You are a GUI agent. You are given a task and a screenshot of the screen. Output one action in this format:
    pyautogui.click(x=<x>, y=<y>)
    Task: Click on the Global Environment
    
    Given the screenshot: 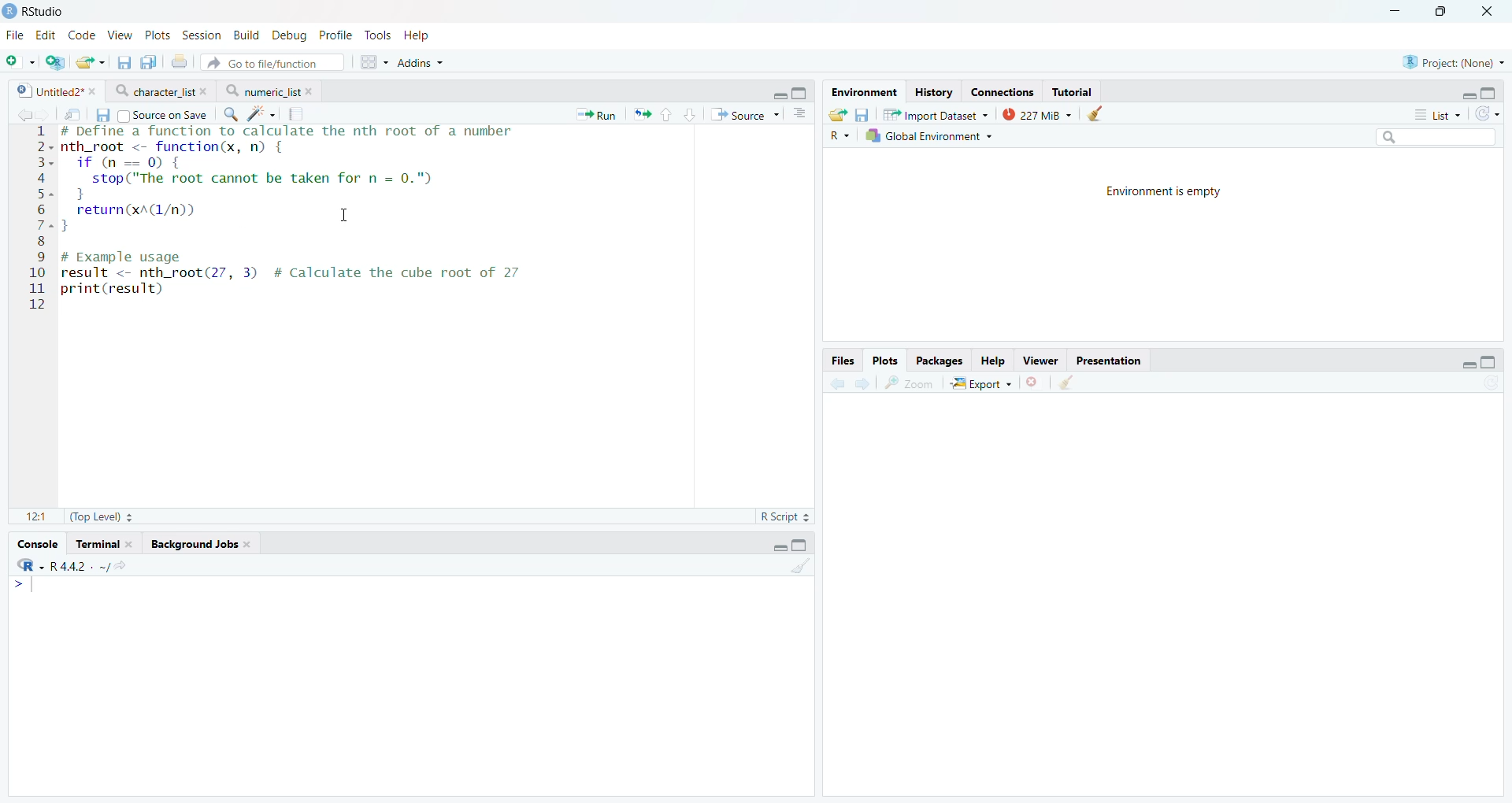 What is the action you would take?
    pyautogui.click(x=929, y=135)
    